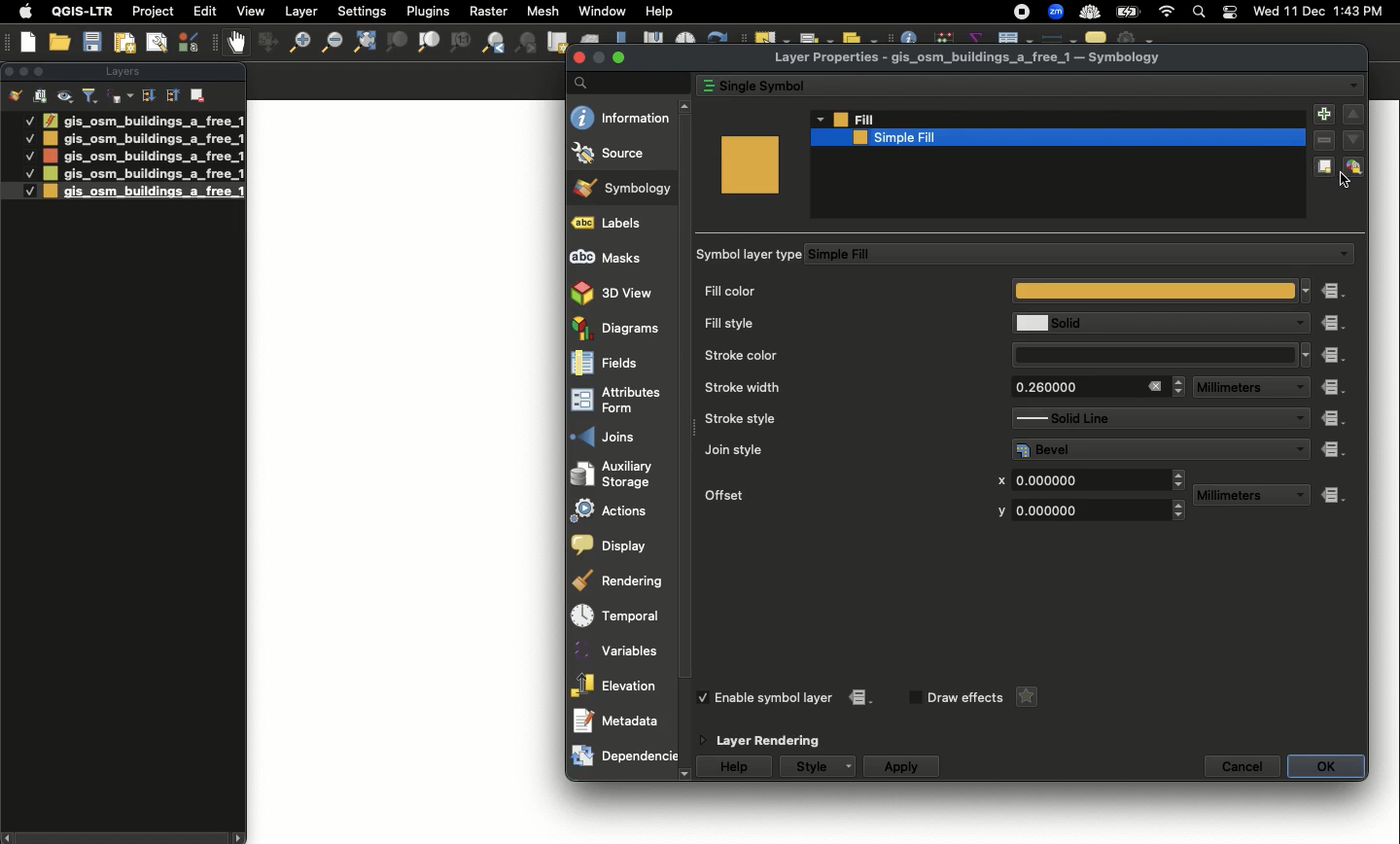 The image size is (1400, 844). Describe the element at coordinates (616, 545) in the screenshot. I see `Display` at that location.